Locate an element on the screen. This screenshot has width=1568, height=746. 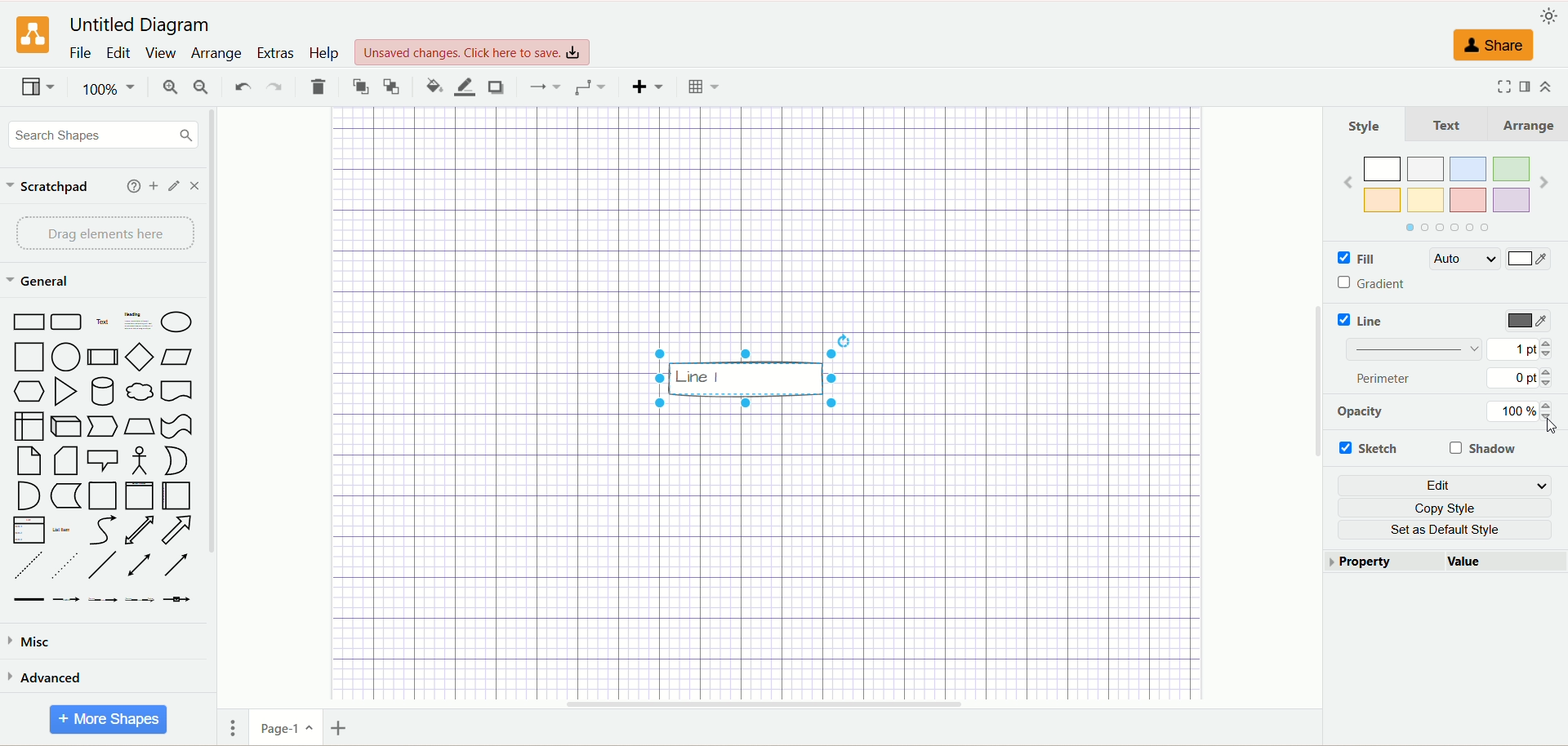
Callout is located at coordinates (104, 460).